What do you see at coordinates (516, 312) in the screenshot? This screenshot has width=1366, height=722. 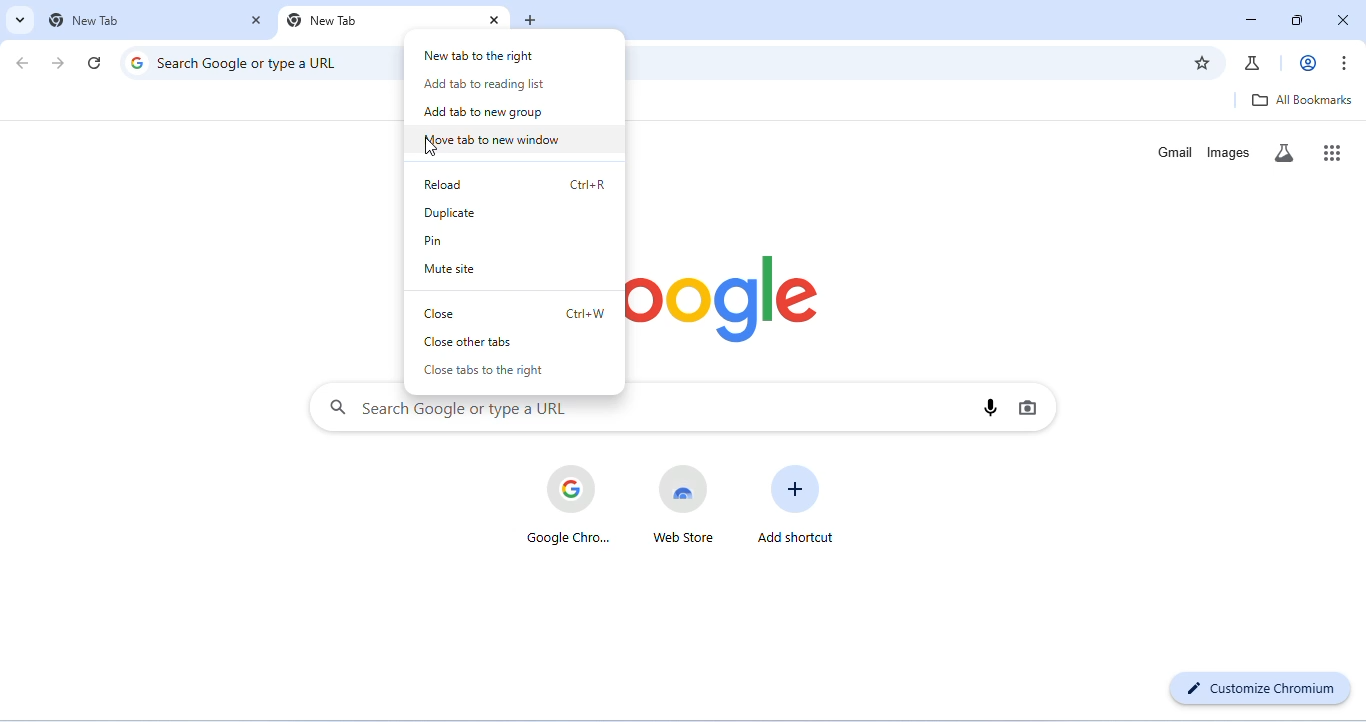 I see `close` at bounding box center [516, 312].